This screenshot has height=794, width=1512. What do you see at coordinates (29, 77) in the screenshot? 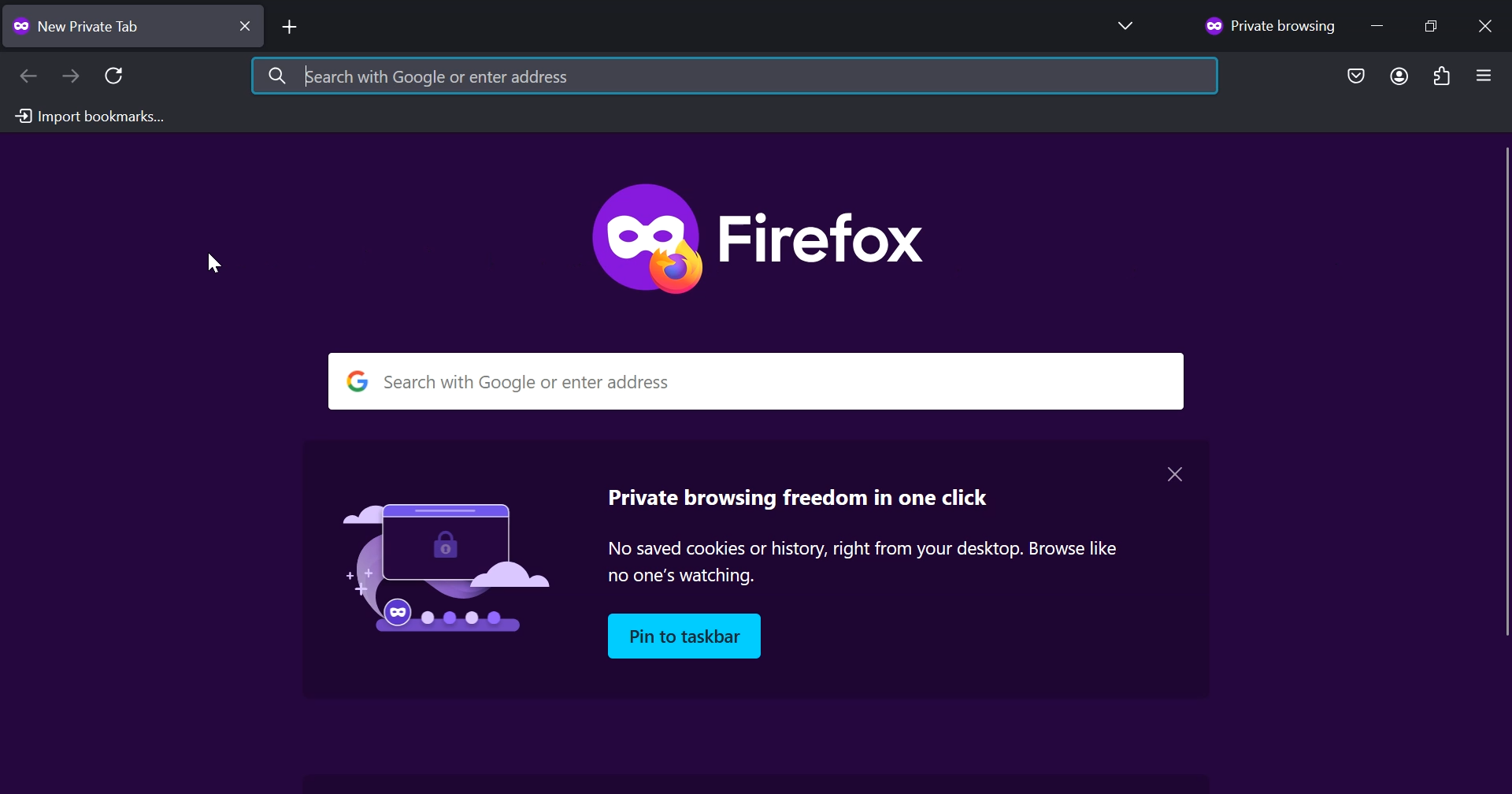
I see `Back` at bounding box center [29, 77].